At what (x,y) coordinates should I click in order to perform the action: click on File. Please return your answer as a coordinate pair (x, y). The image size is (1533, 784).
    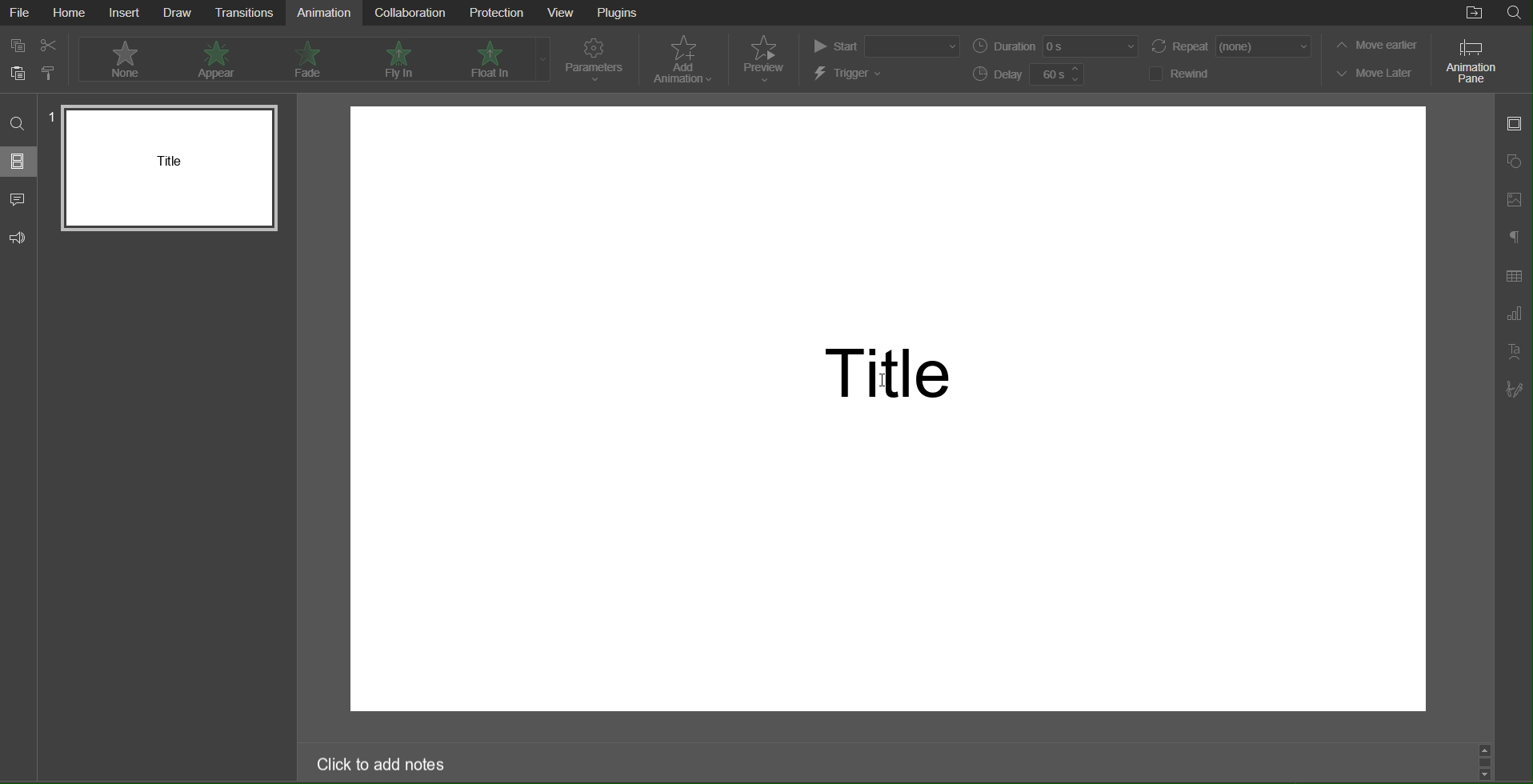
    Looking at the image, I should click on (20, 12).